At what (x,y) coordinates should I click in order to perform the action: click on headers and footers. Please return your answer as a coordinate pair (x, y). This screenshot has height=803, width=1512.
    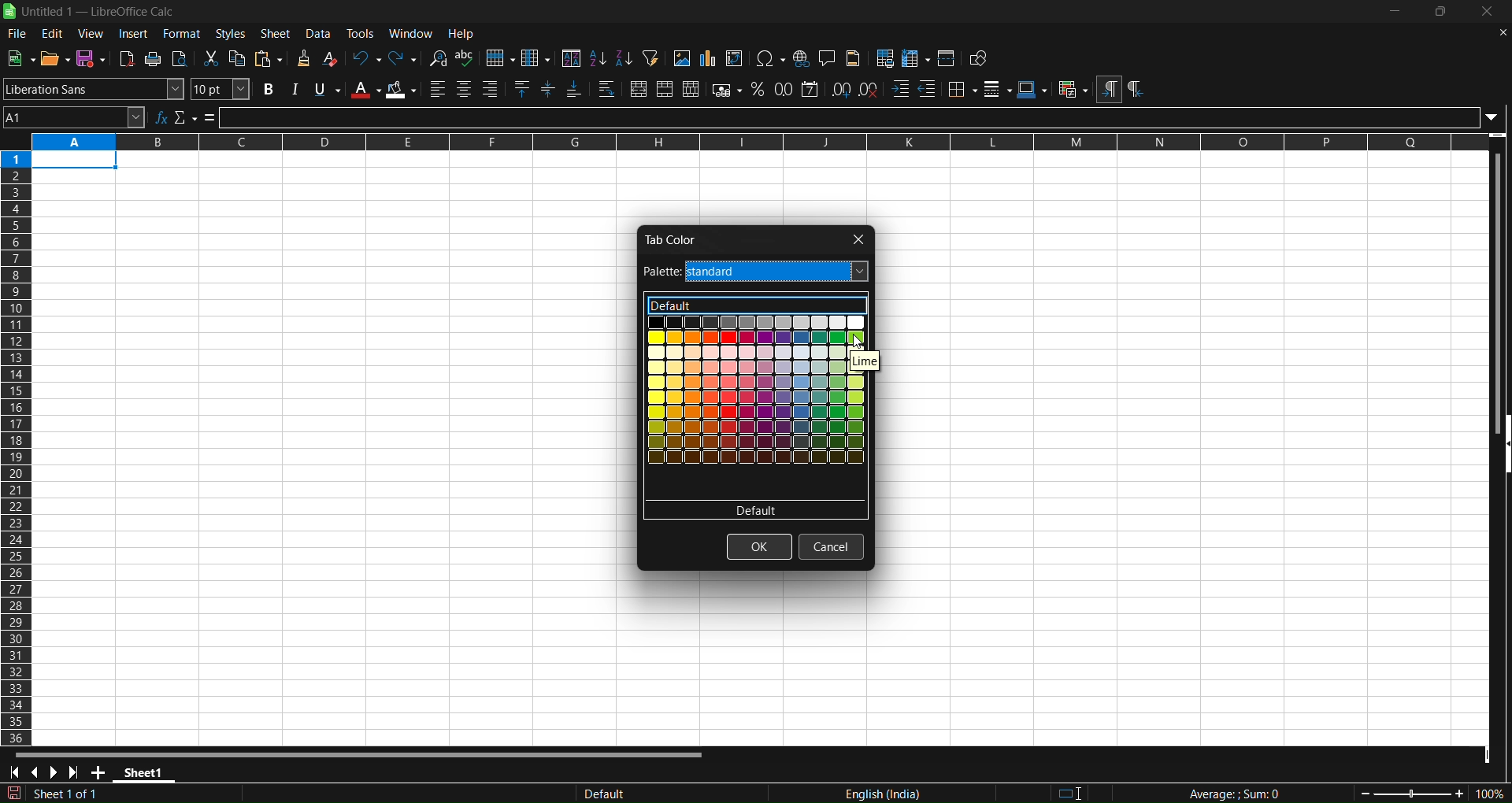
    Looking at the image, I should click on (855, 58).